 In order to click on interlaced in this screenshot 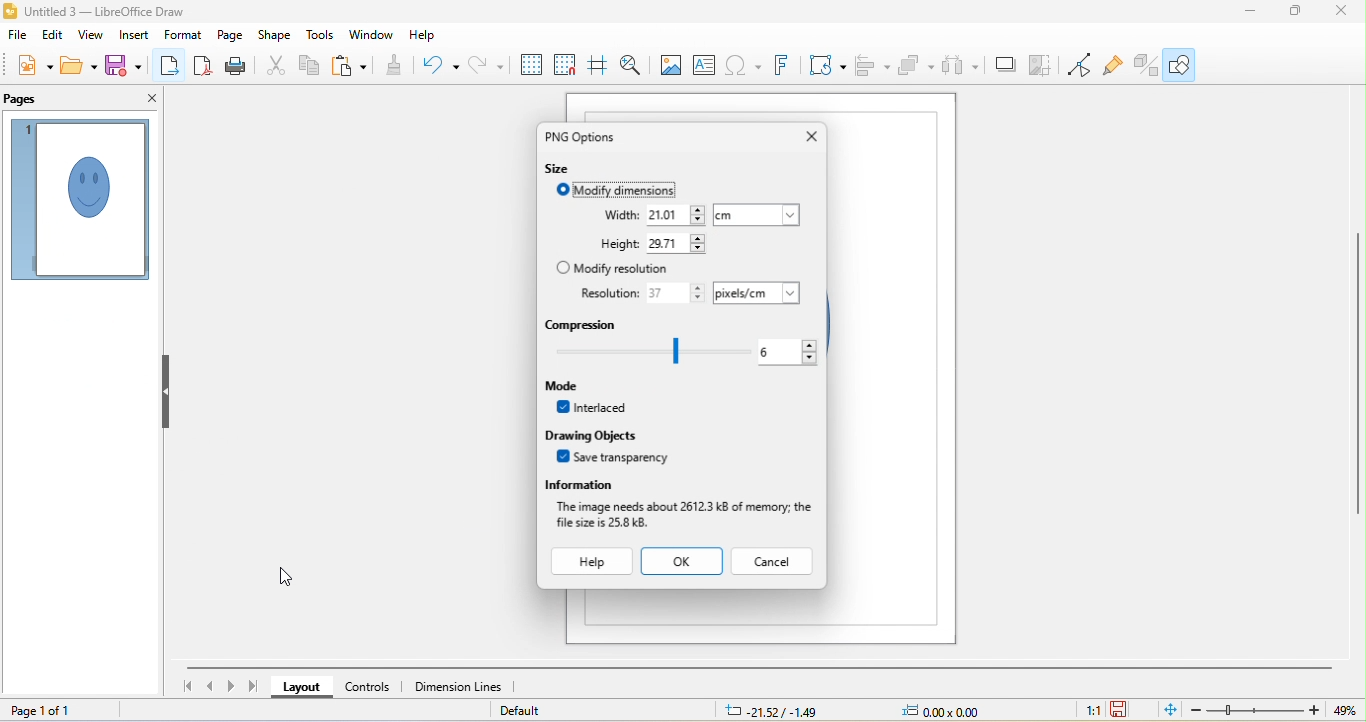, I will do `click(595, 407)`.